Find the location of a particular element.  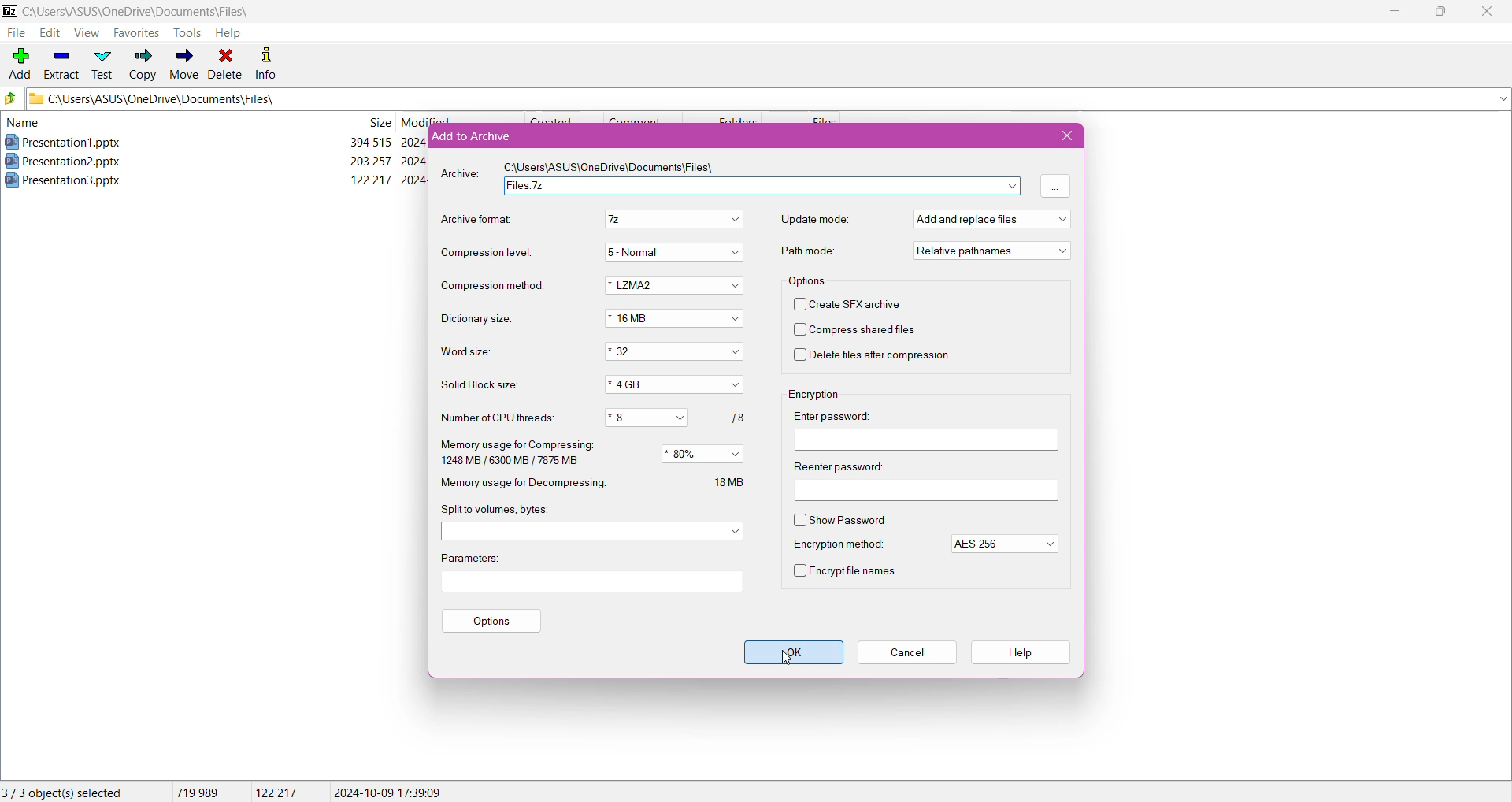

*16MB is located at coordinates (675, 318).